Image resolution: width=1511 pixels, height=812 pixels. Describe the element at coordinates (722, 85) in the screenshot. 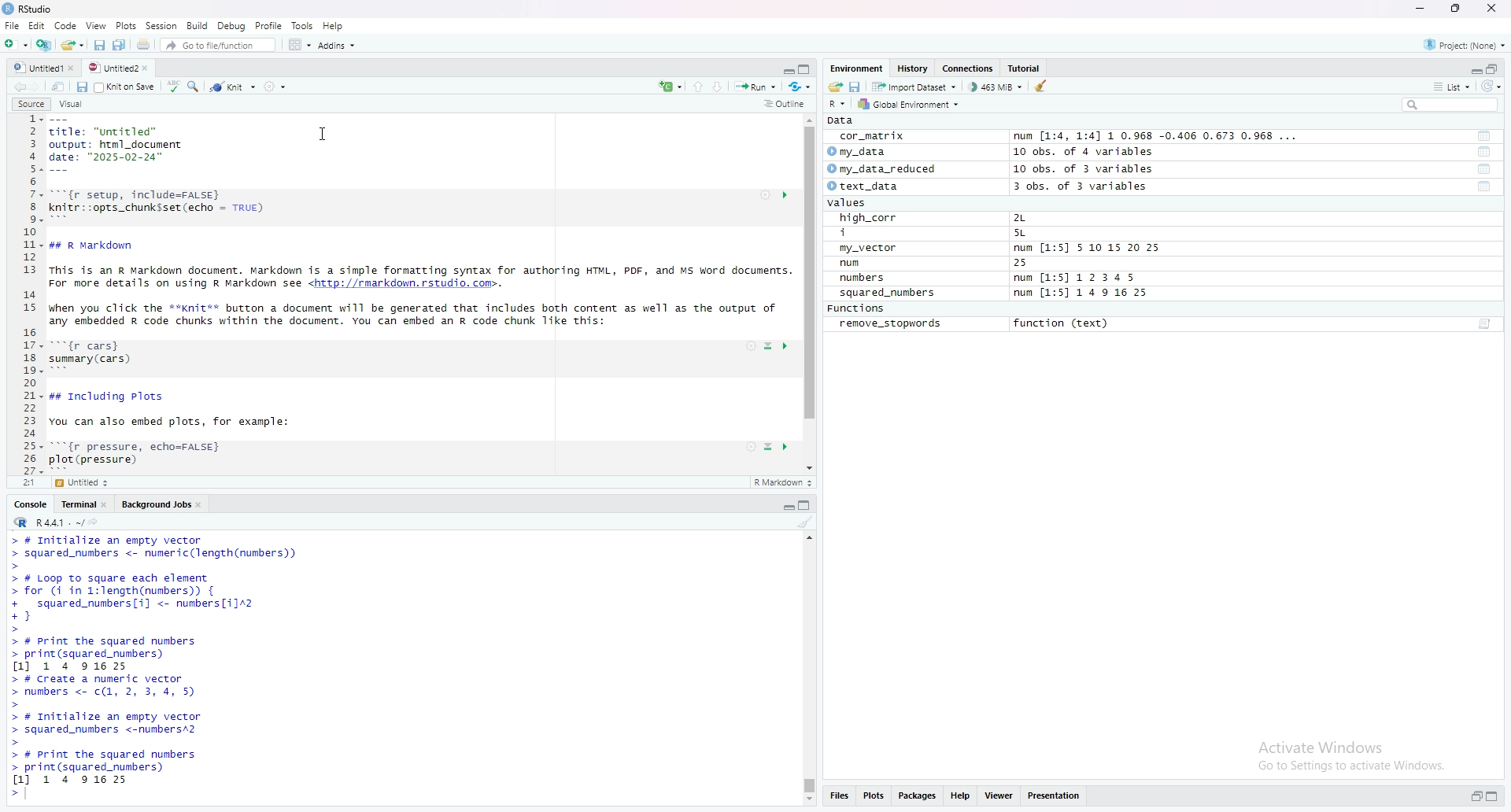

I see `Down` at that location.